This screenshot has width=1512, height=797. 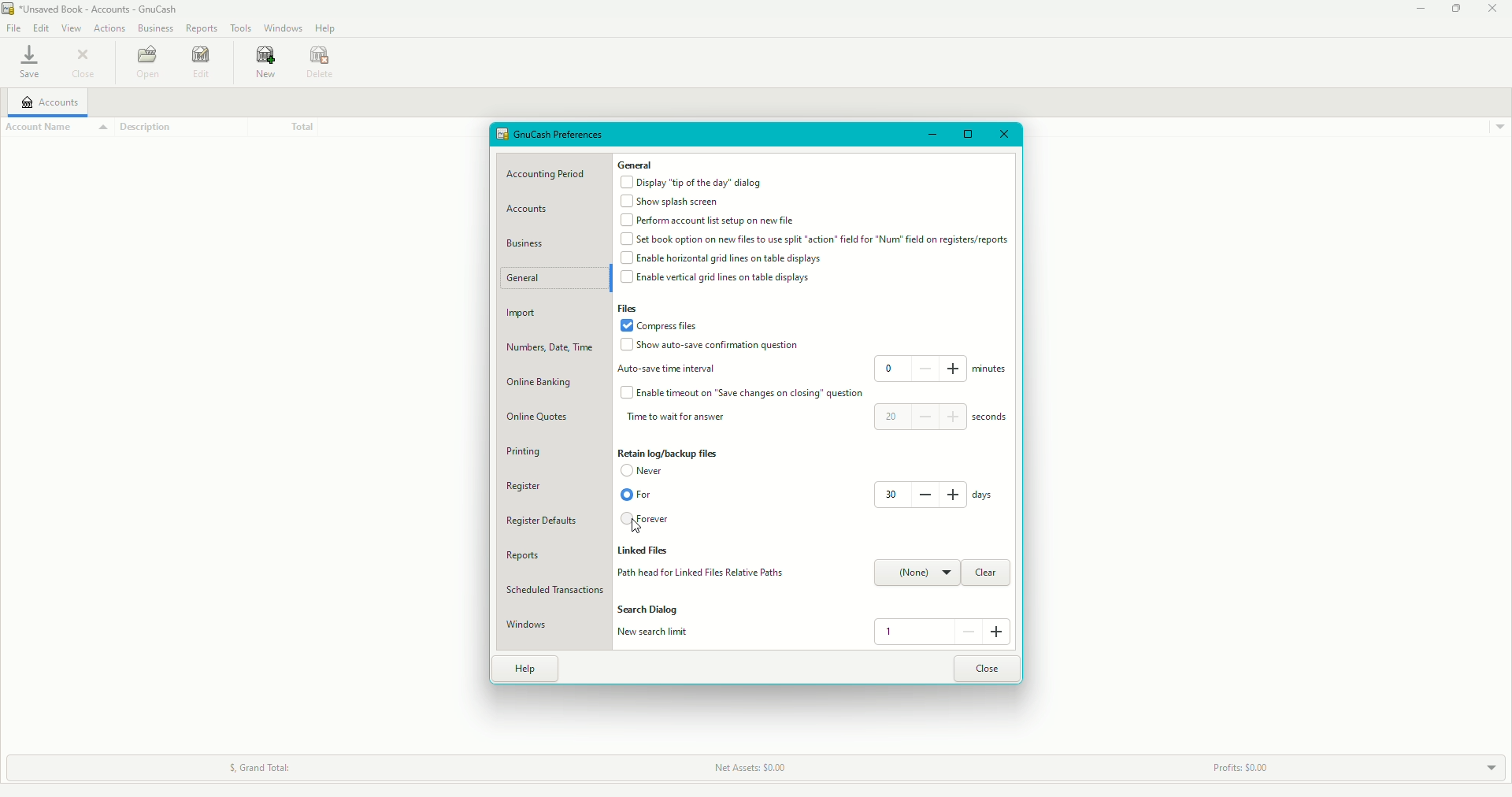 I want to click on Search Dialog, so click(x=650, y=610).